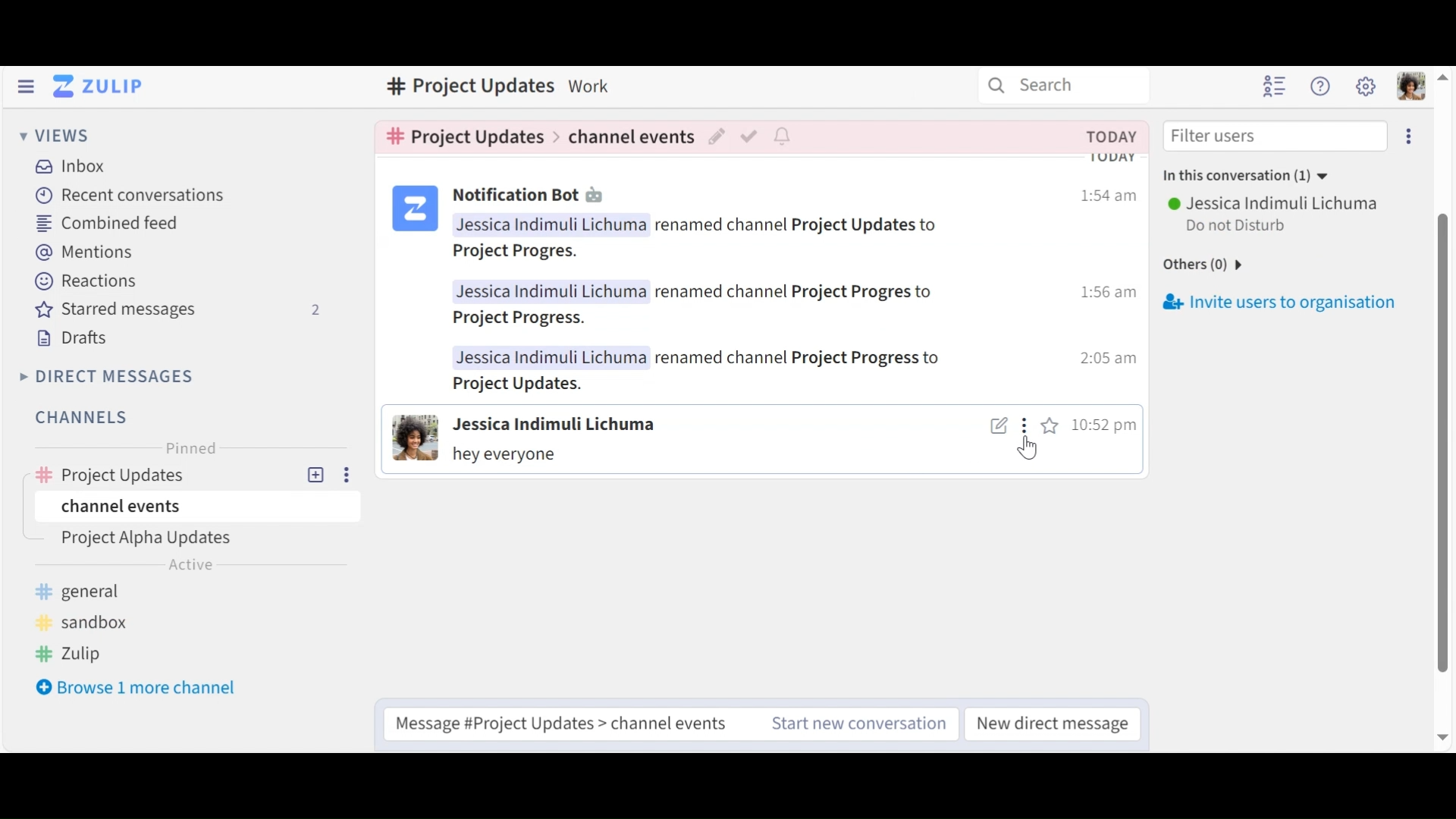 Image resolution: width=1456 pixels, height=819 pixels. I want to click on View user card, so click(412, 438).